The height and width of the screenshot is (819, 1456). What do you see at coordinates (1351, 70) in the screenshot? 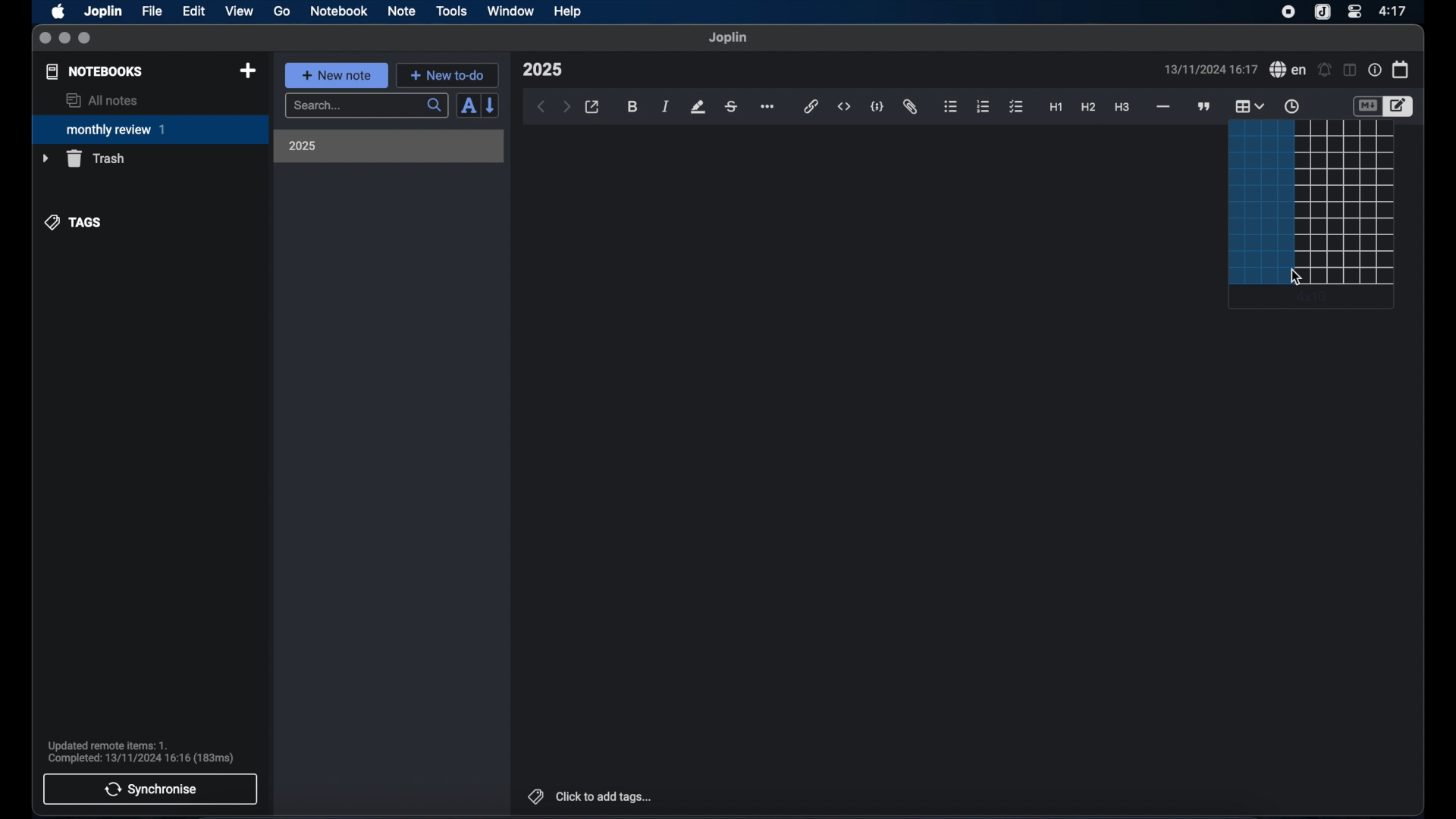
I see `toggle editor layout` at bounding box center [1351, 70].